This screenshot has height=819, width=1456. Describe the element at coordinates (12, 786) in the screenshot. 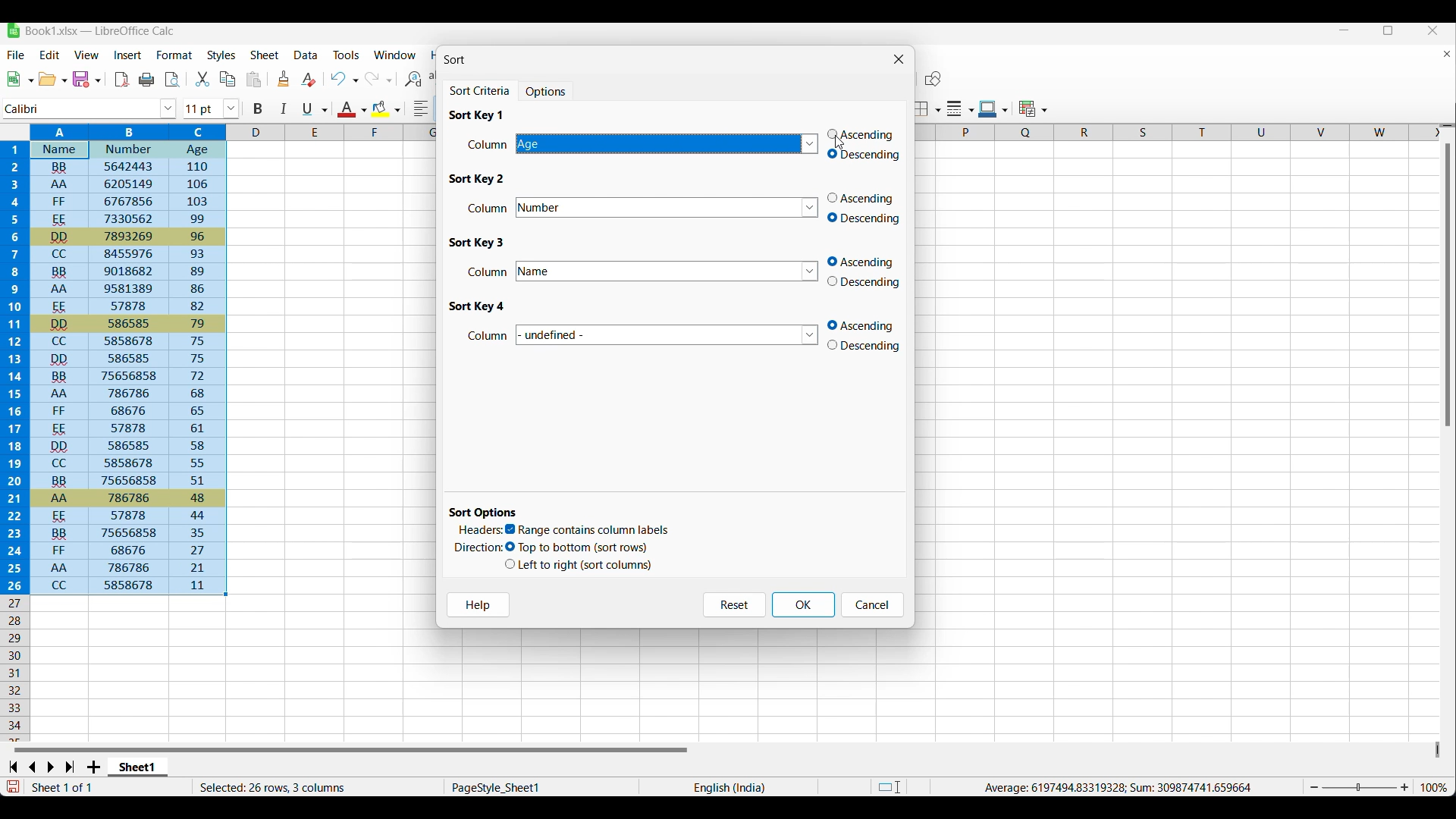

I see `Indicates modifications that require saving` at that location.